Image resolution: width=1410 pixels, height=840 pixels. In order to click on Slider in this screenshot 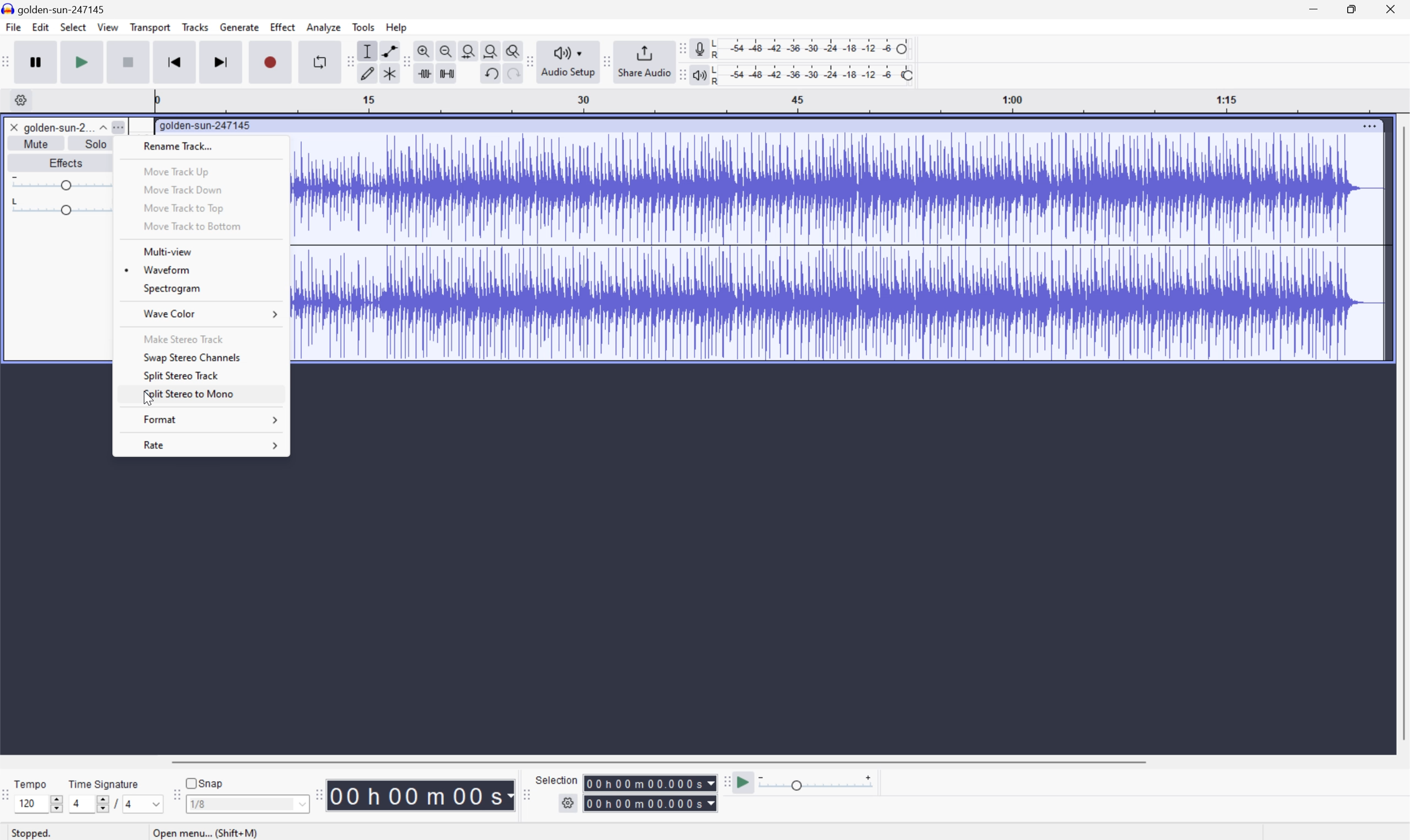, I will do `click(63, 183)`.